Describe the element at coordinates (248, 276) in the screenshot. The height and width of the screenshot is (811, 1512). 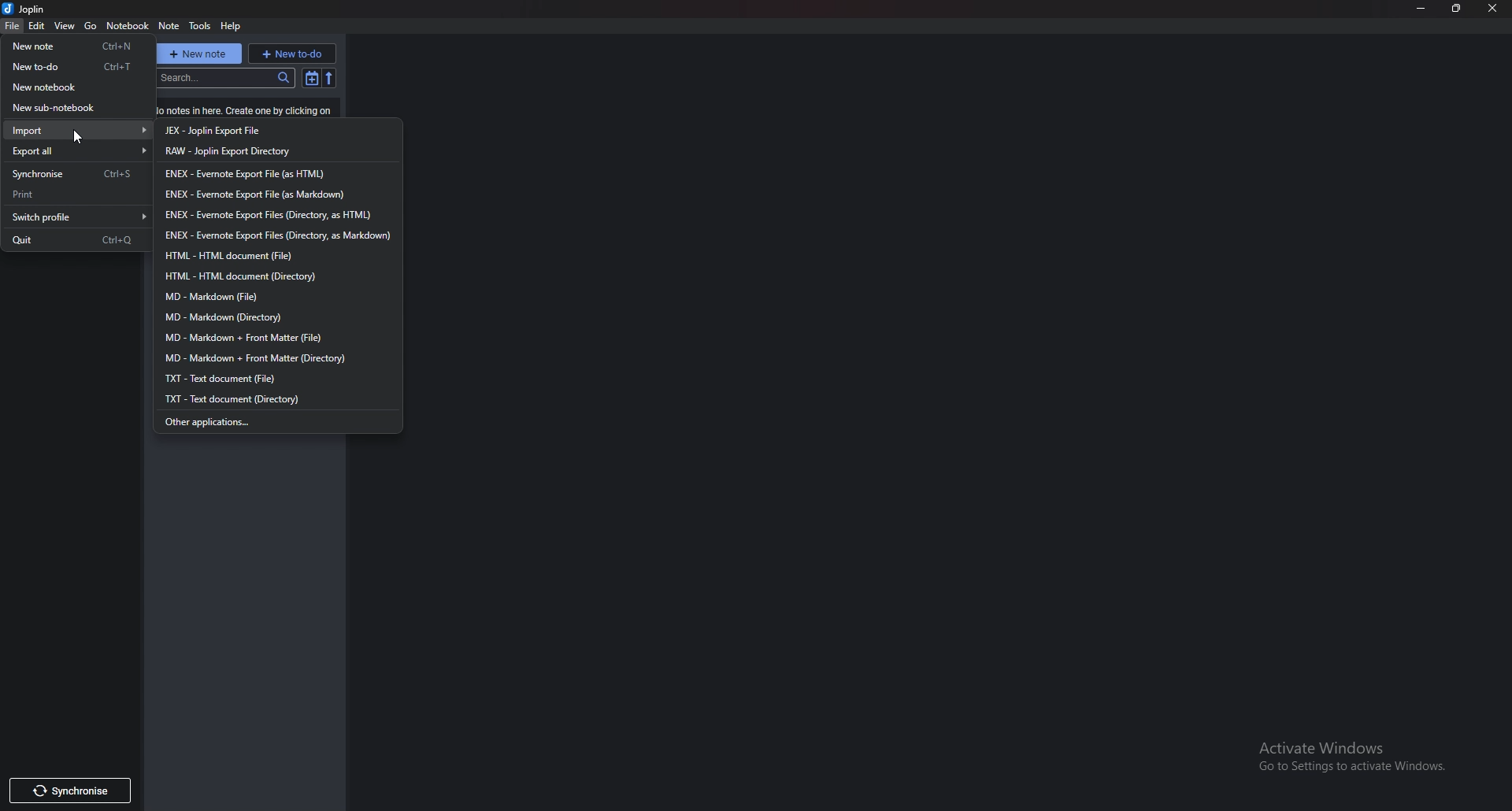
I see `html directory` at that location.